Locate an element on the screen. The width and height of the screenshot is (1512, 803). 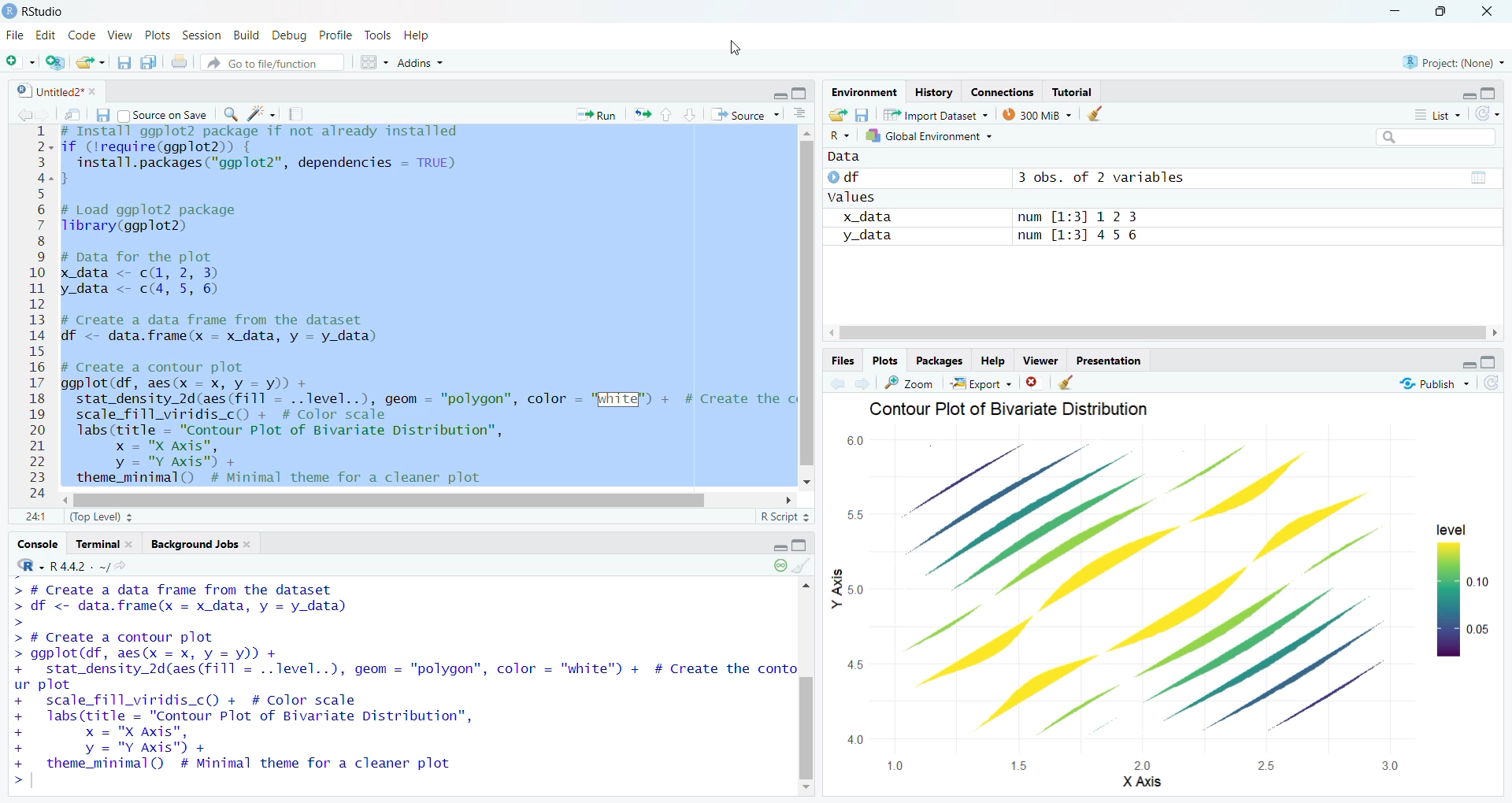
Session is located at coordinates (202, 35).